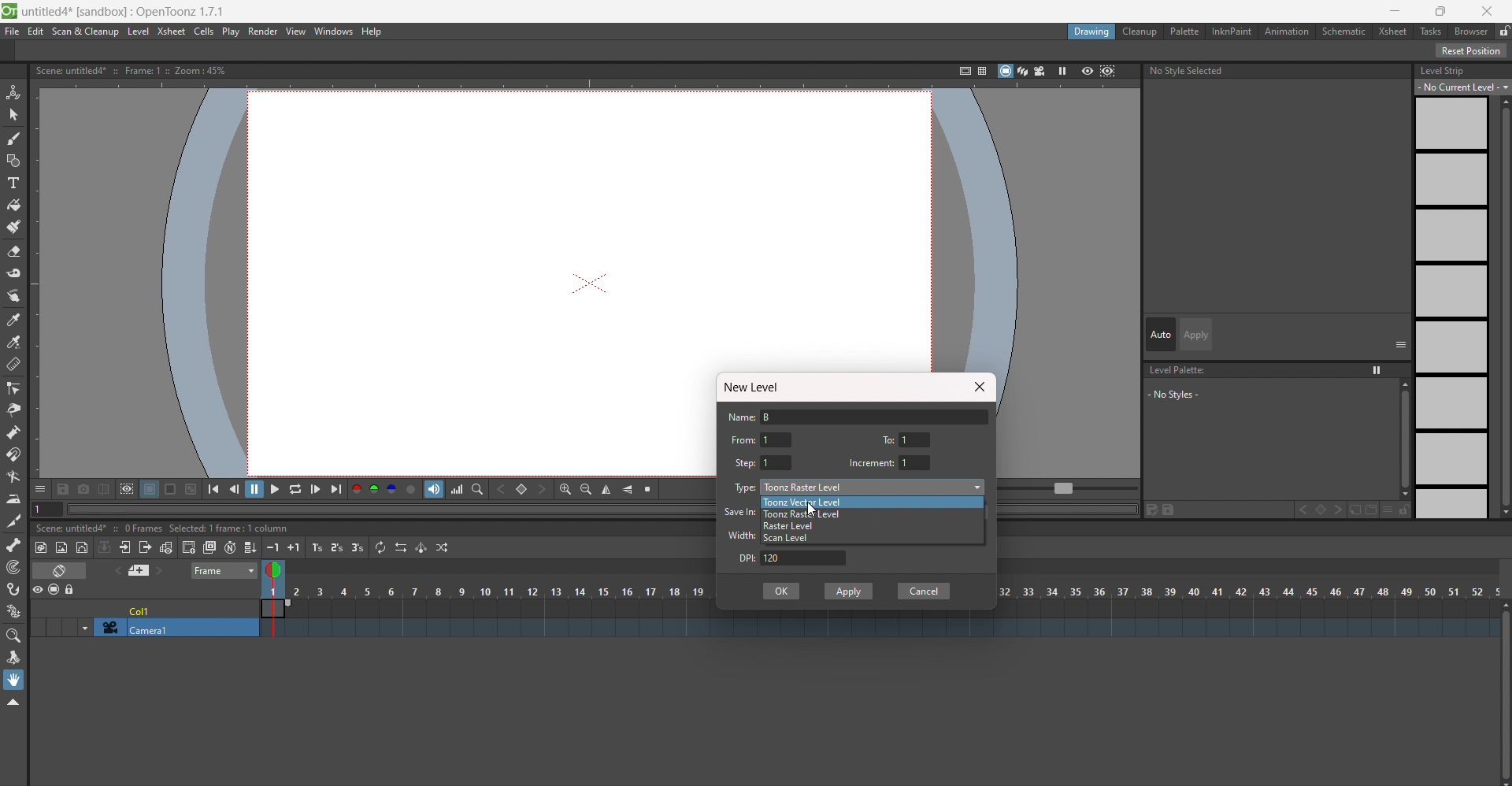  I want to click on sub camera preview, so click(1109, 72).